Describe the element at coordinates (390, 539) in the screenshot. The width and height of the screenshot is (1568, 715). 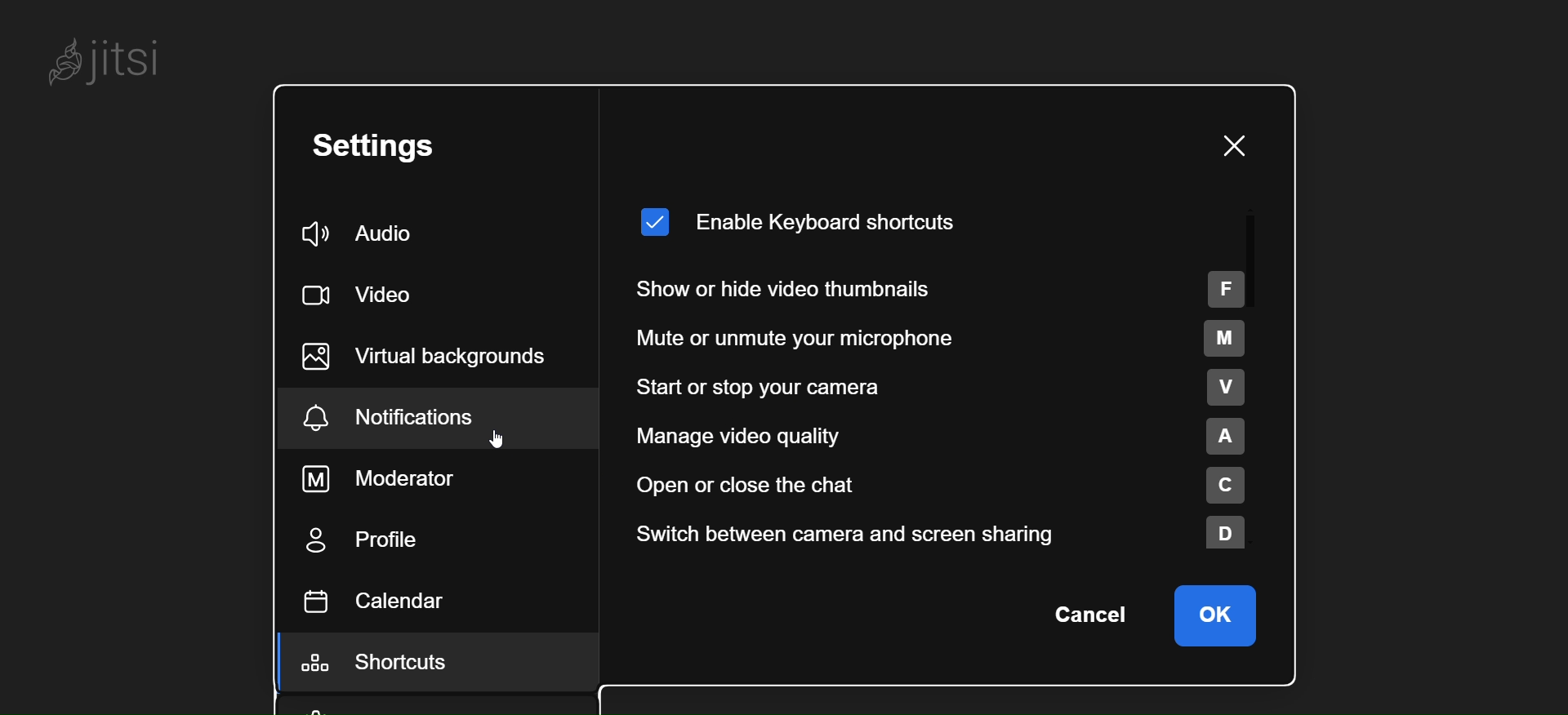
I see `profile` at that location.